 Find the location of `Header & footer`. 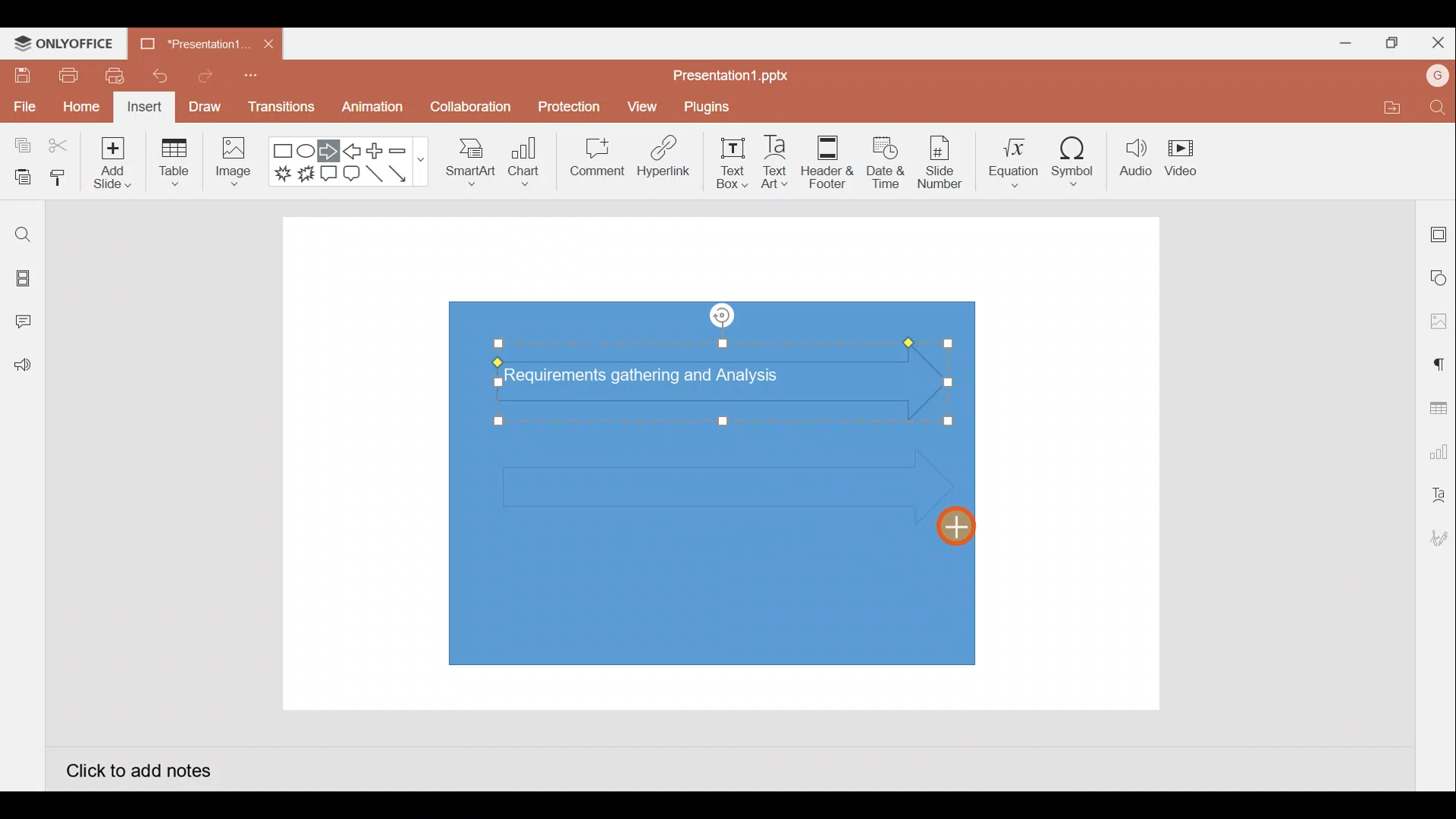

Header & footer is located at coordinates (828, 158).